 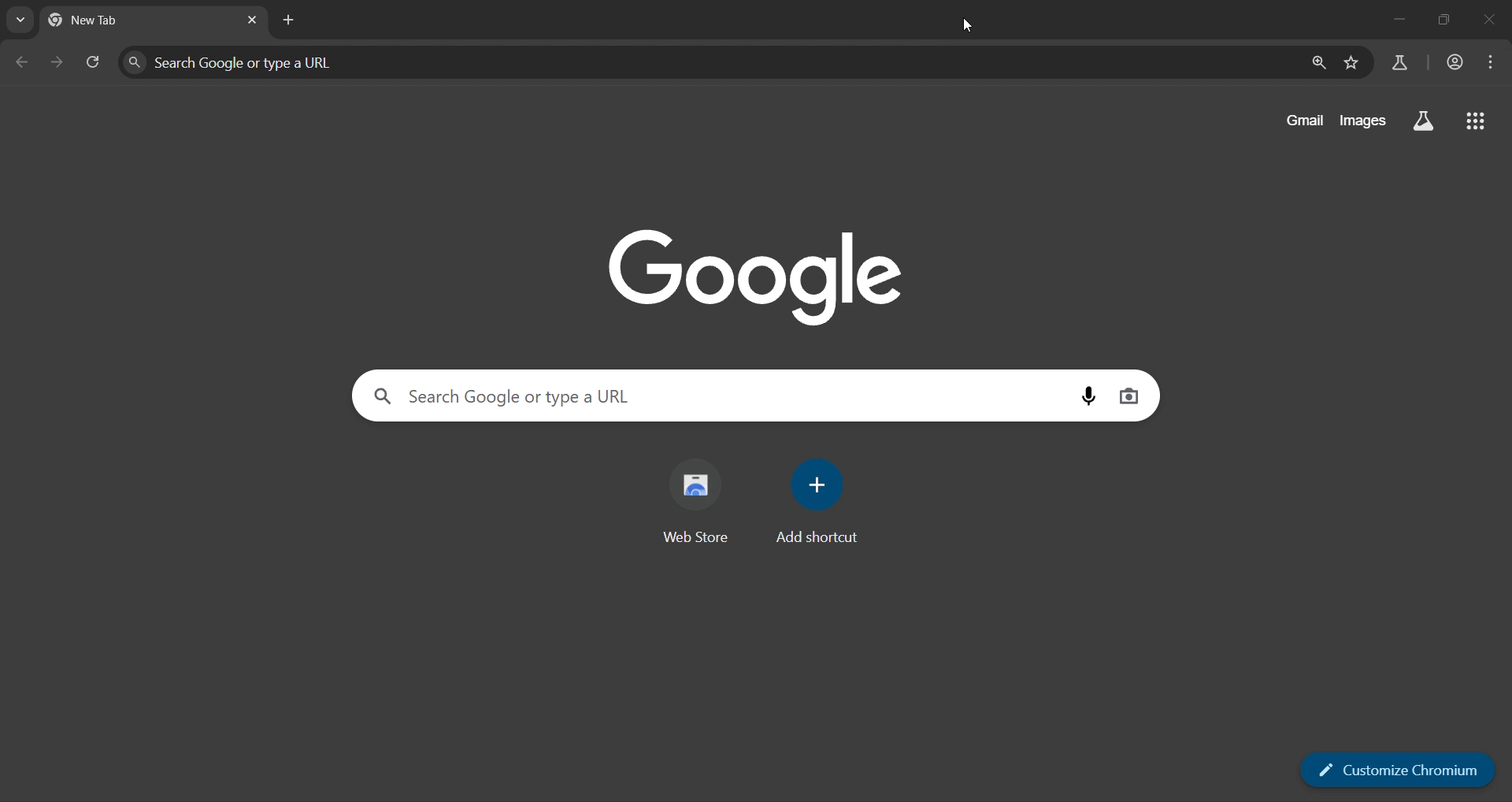 I want to click on Search Google or type a URL, so click(x=250, y=62).